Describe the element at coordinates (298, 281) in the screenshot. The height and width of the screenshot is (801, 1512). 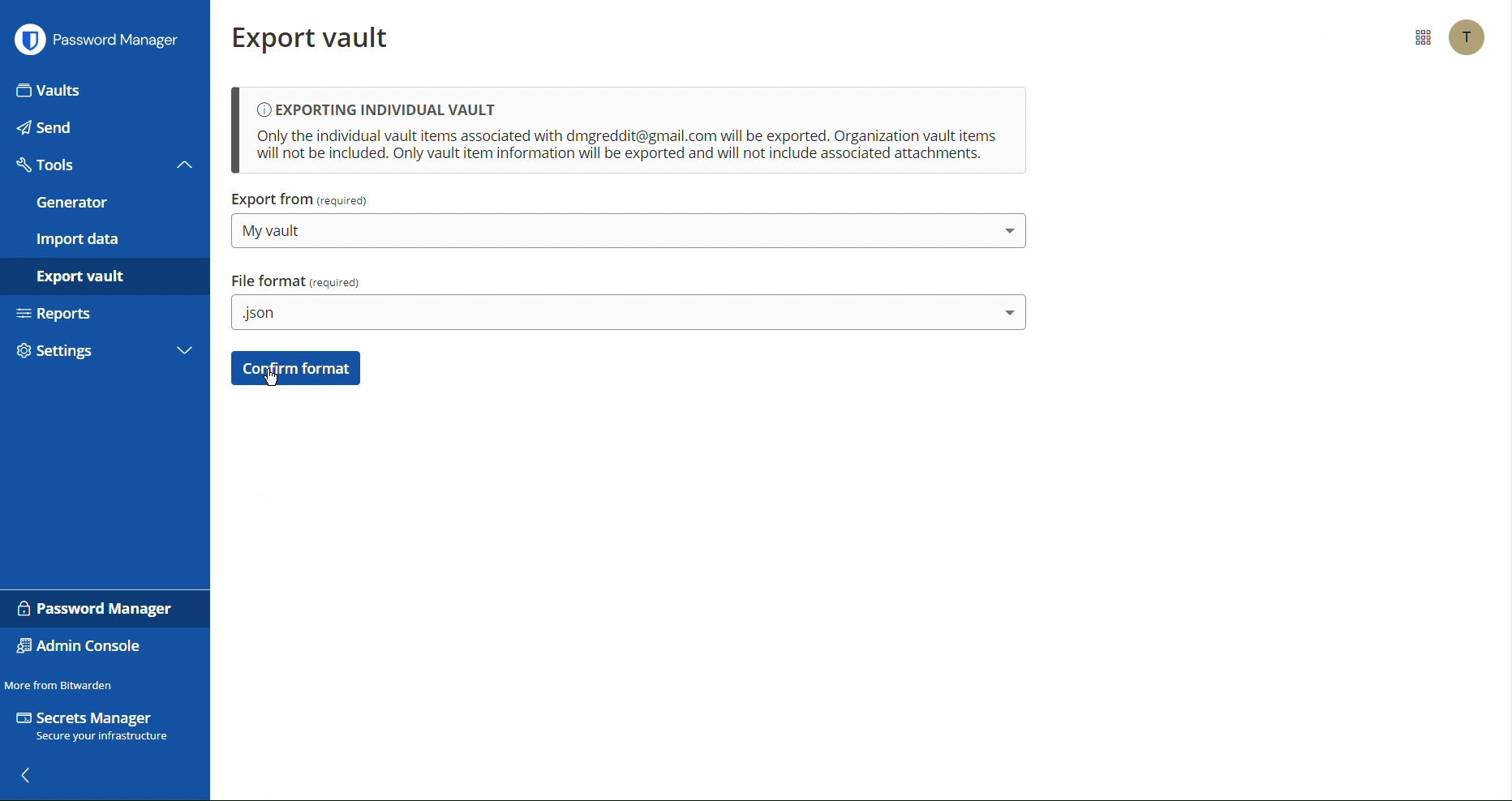
I see `File format (.json)` at that location.